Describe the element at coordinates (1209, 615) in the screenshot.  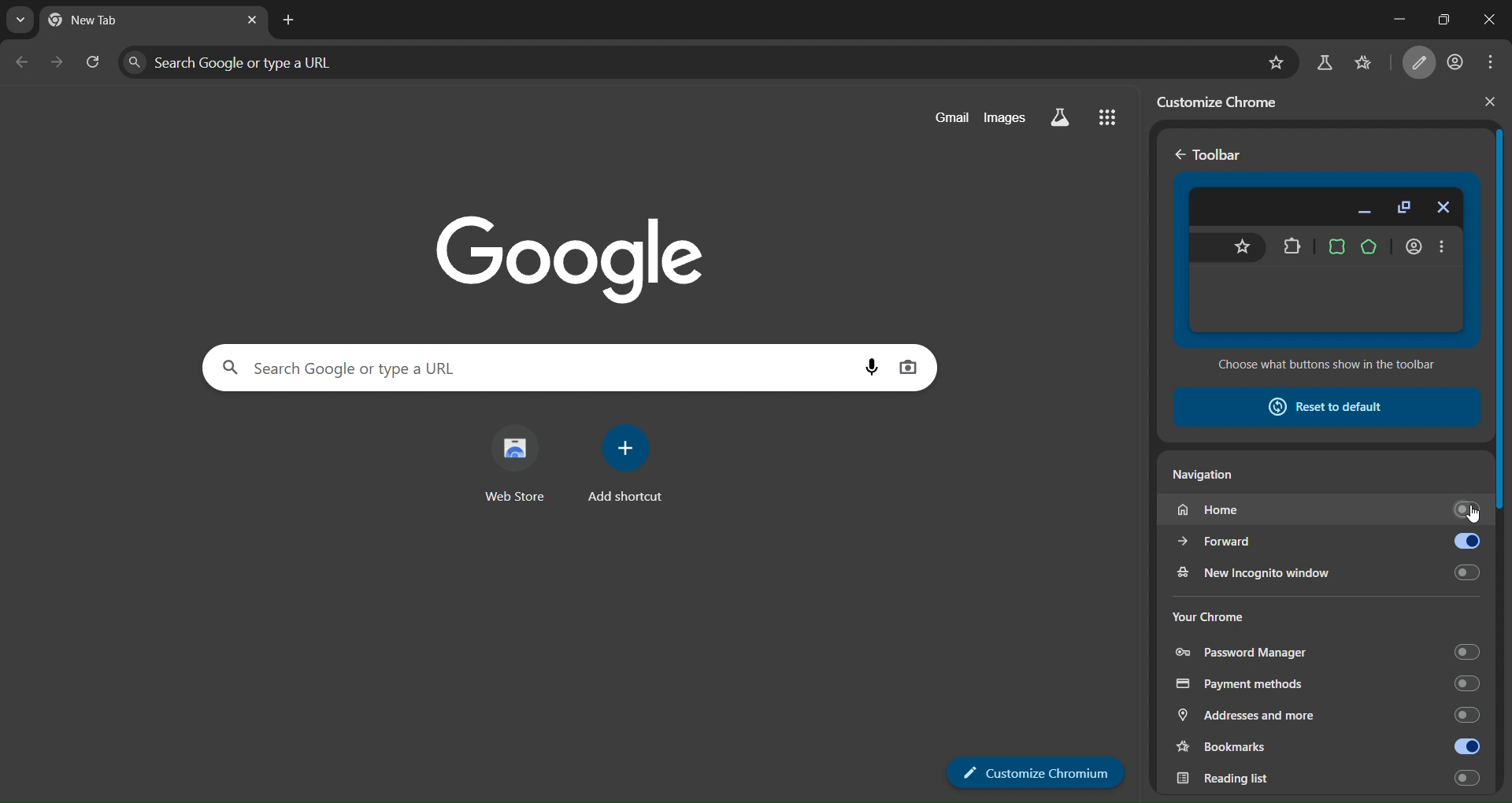
I see `Your Chrome` at that location.